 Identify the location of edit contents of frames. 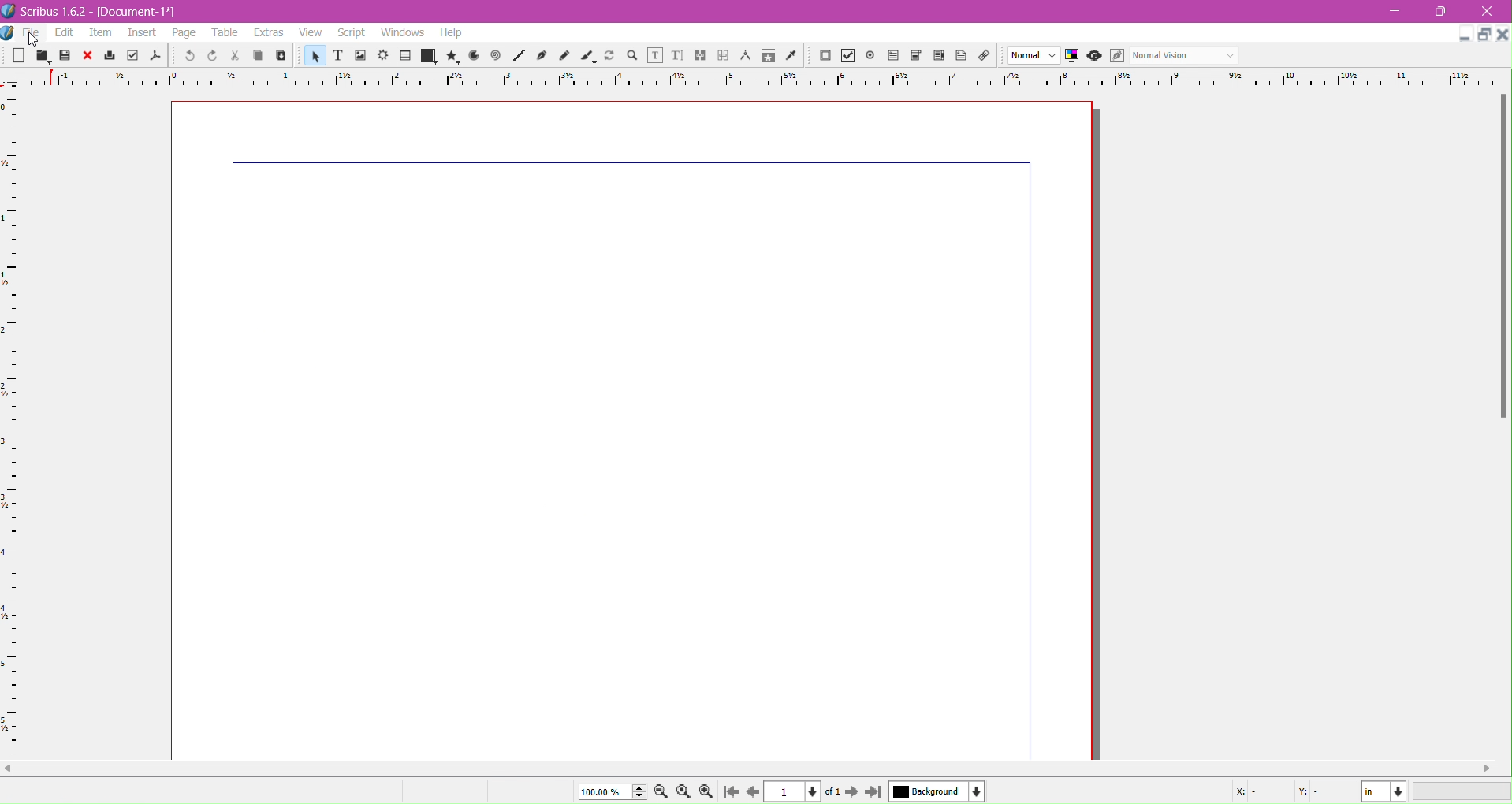
(654, 56).